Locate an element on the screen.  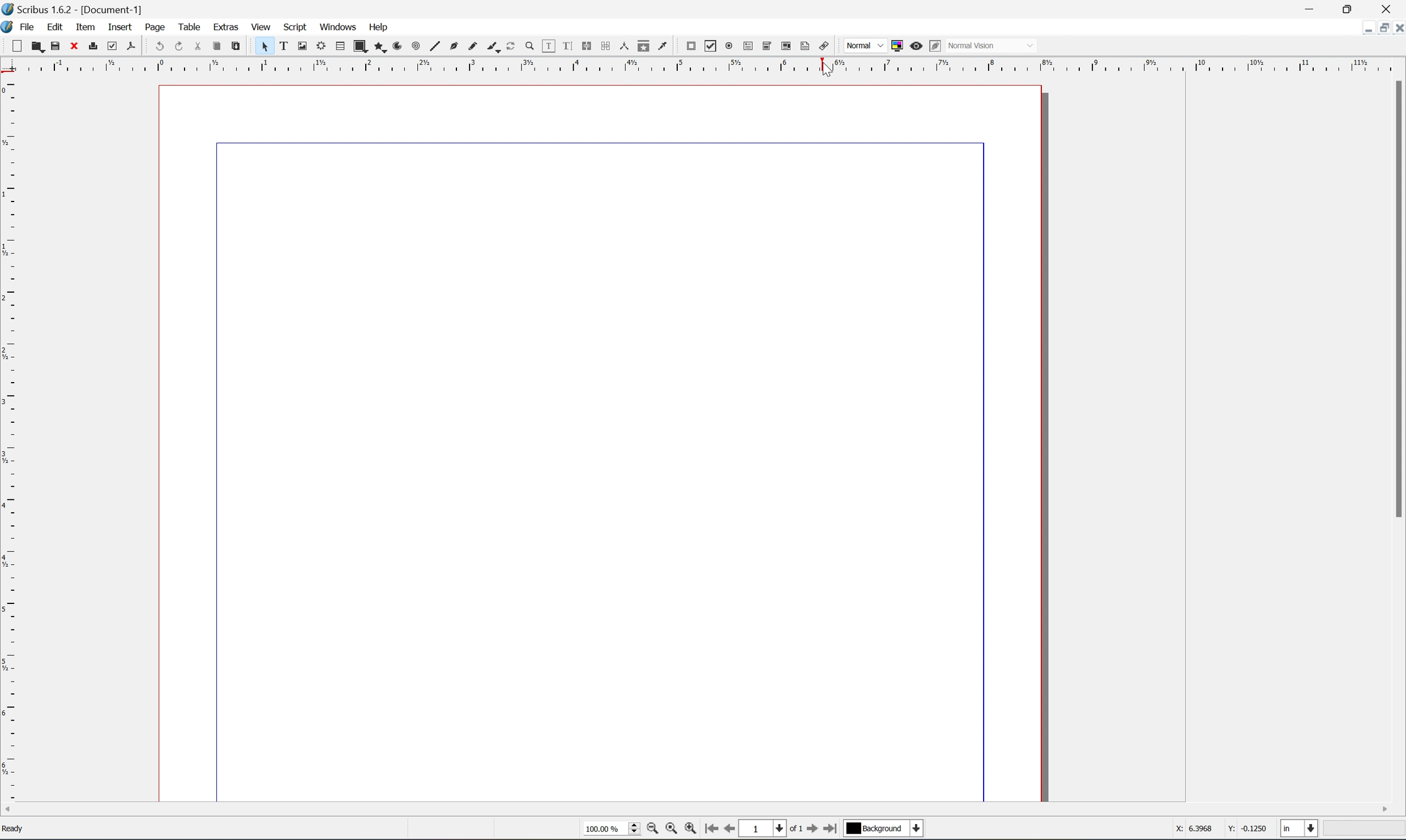
cursor is located at coordinates (825, 73).